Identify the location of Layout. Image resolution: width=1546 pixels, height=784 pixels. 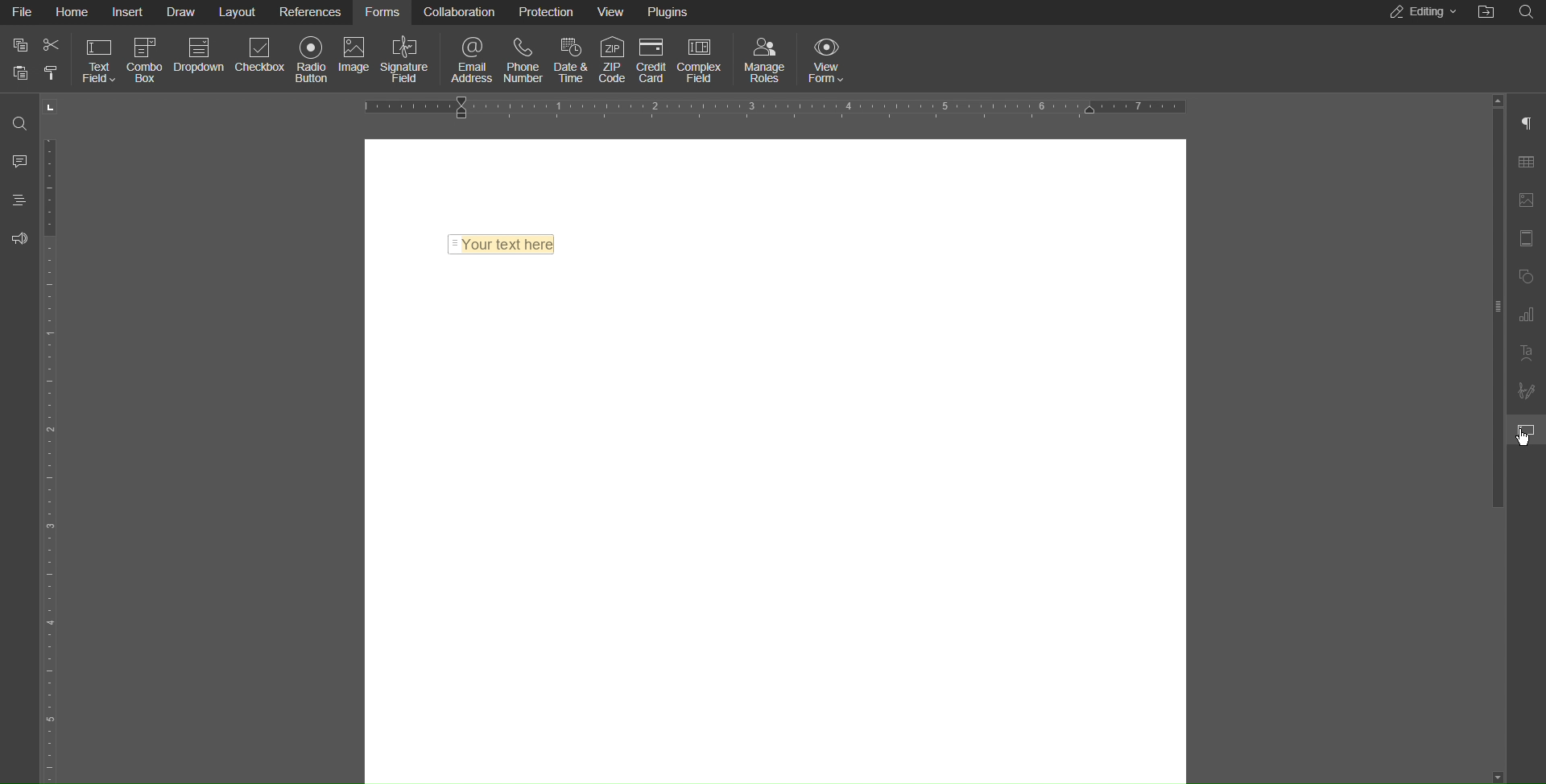
(240, 13).